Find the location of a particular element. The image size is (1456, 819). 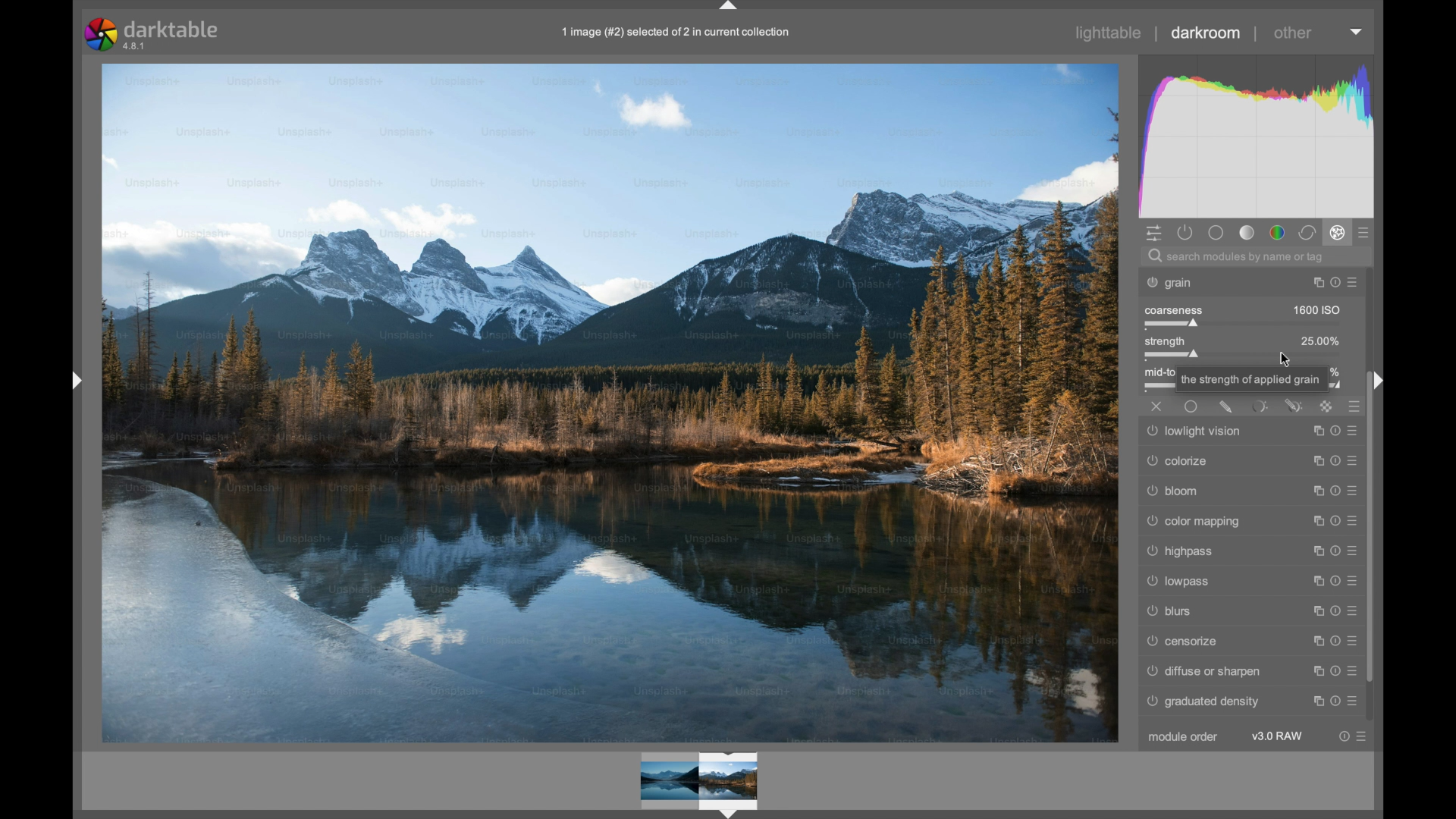

lowpass is located at coordinates (1177, 582).